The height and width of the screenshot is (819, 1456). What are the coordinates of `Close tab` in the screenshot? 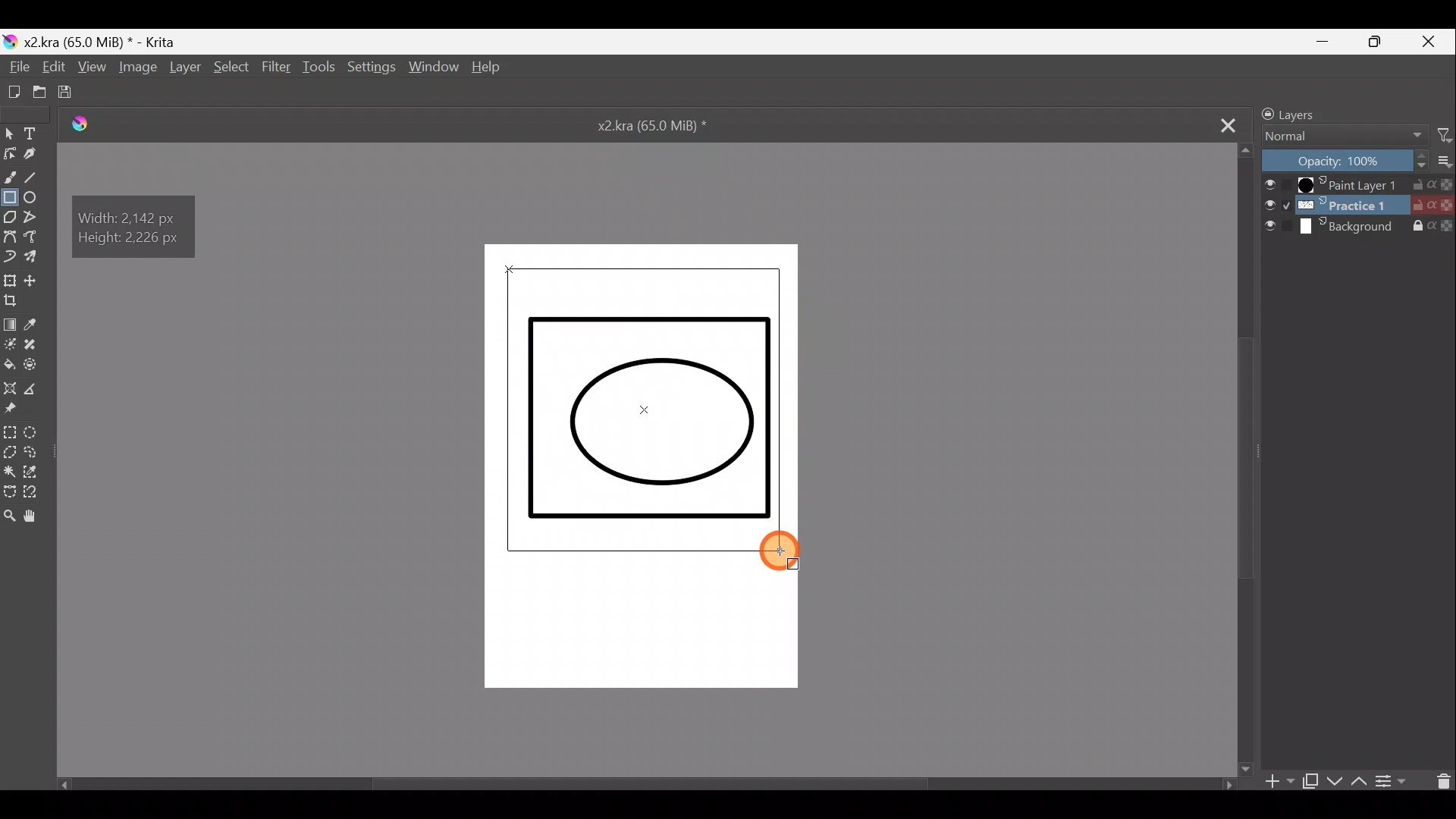 It's located at (1222, 127).